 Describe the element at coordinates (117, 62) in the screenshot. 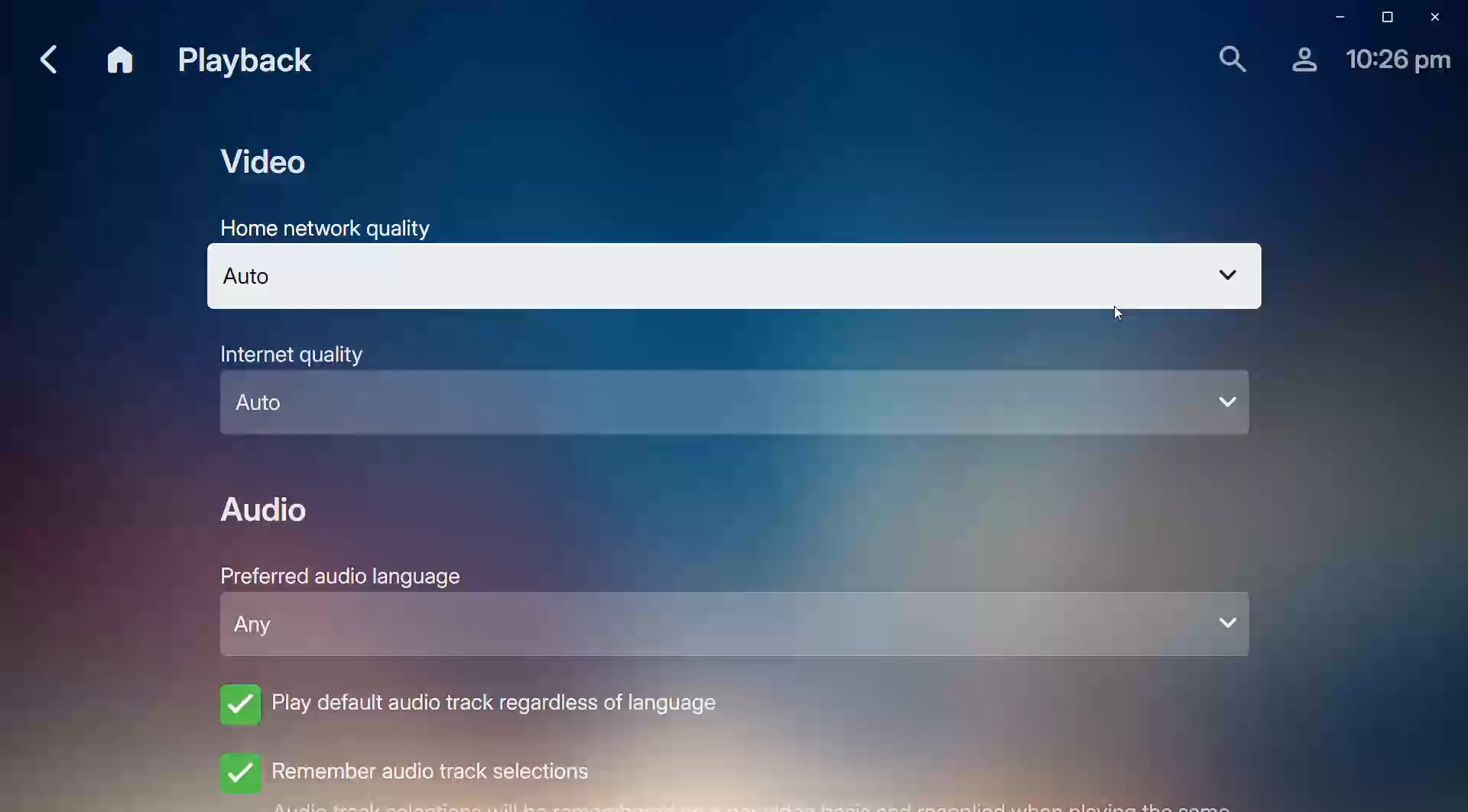

I see `Home` at that location.